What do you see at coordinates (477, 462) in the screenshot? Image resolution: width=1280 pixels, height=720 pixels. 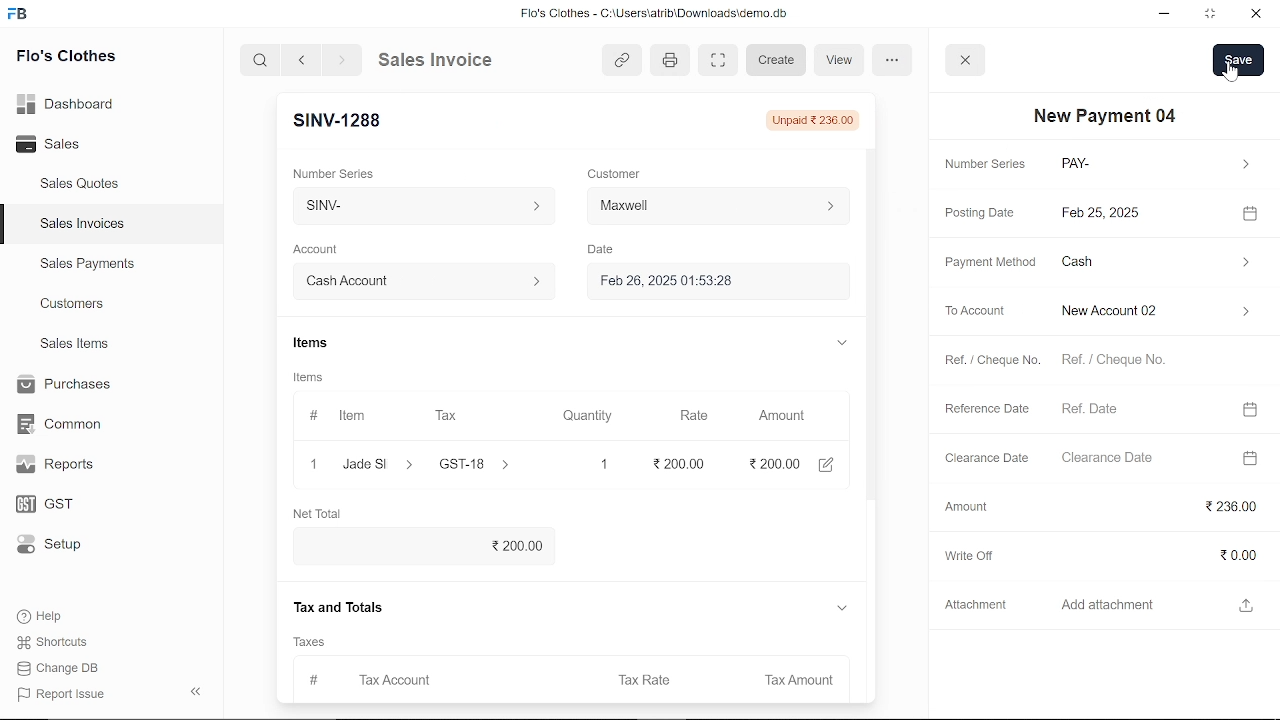 I see `GST-18` at bounding box center [477, 462].